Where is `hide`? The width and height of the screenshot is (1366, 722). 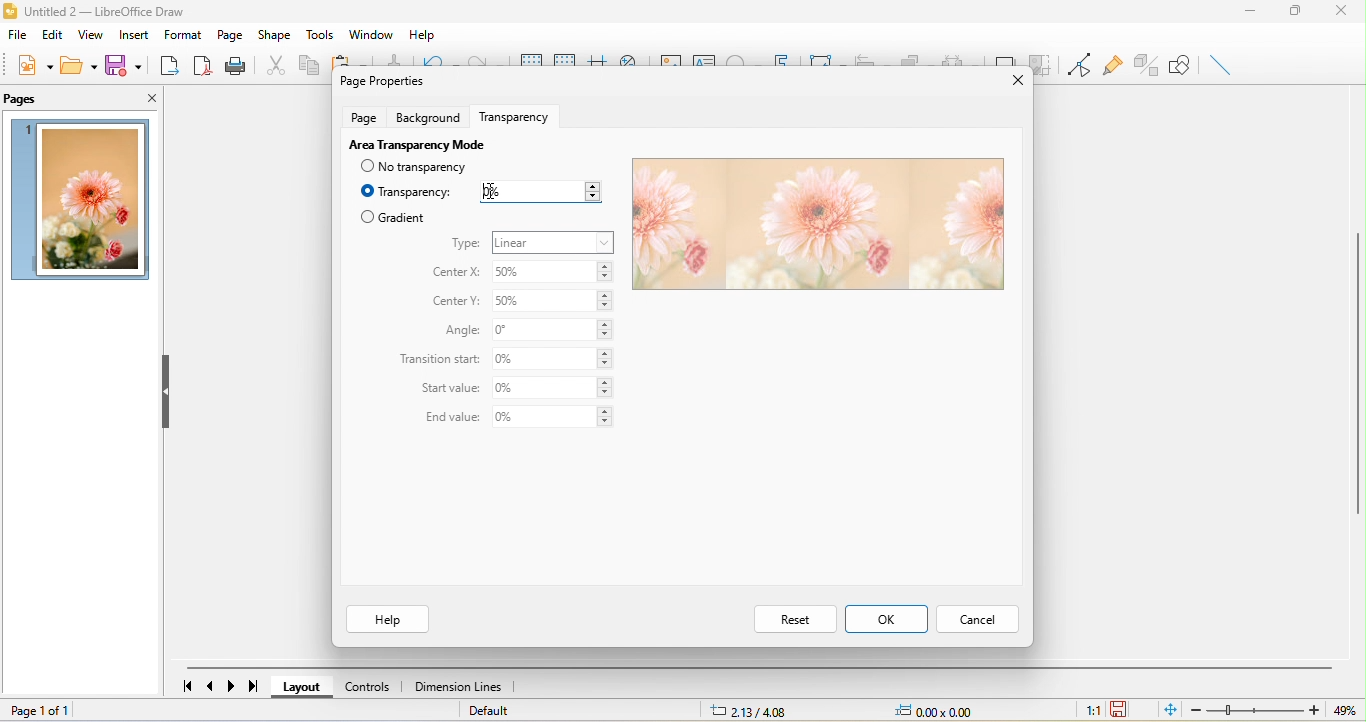 hide is located at coordinates (169, 394).